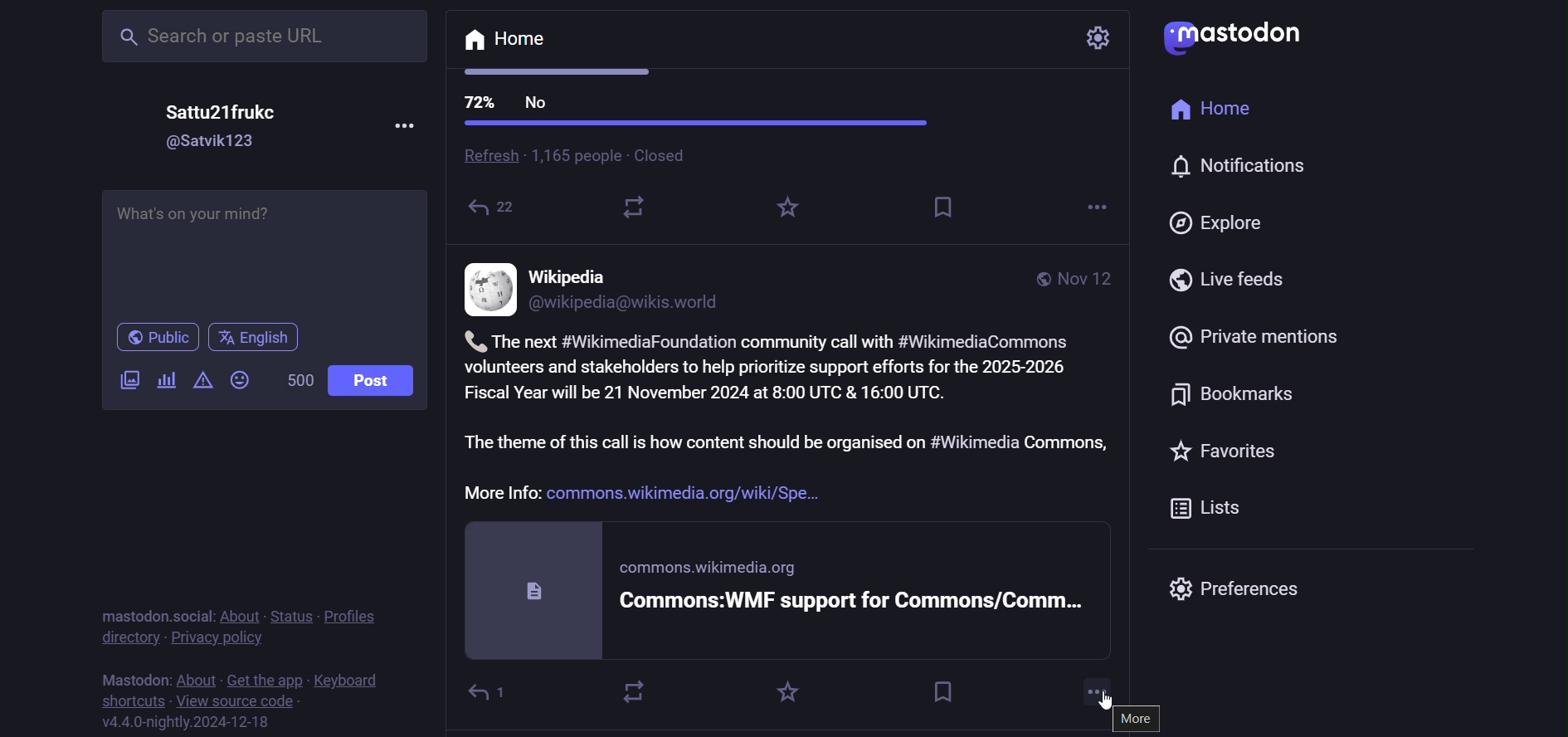 This screenshot has height=737, width=1568. I want to click on private mention, so click(1248, 334).